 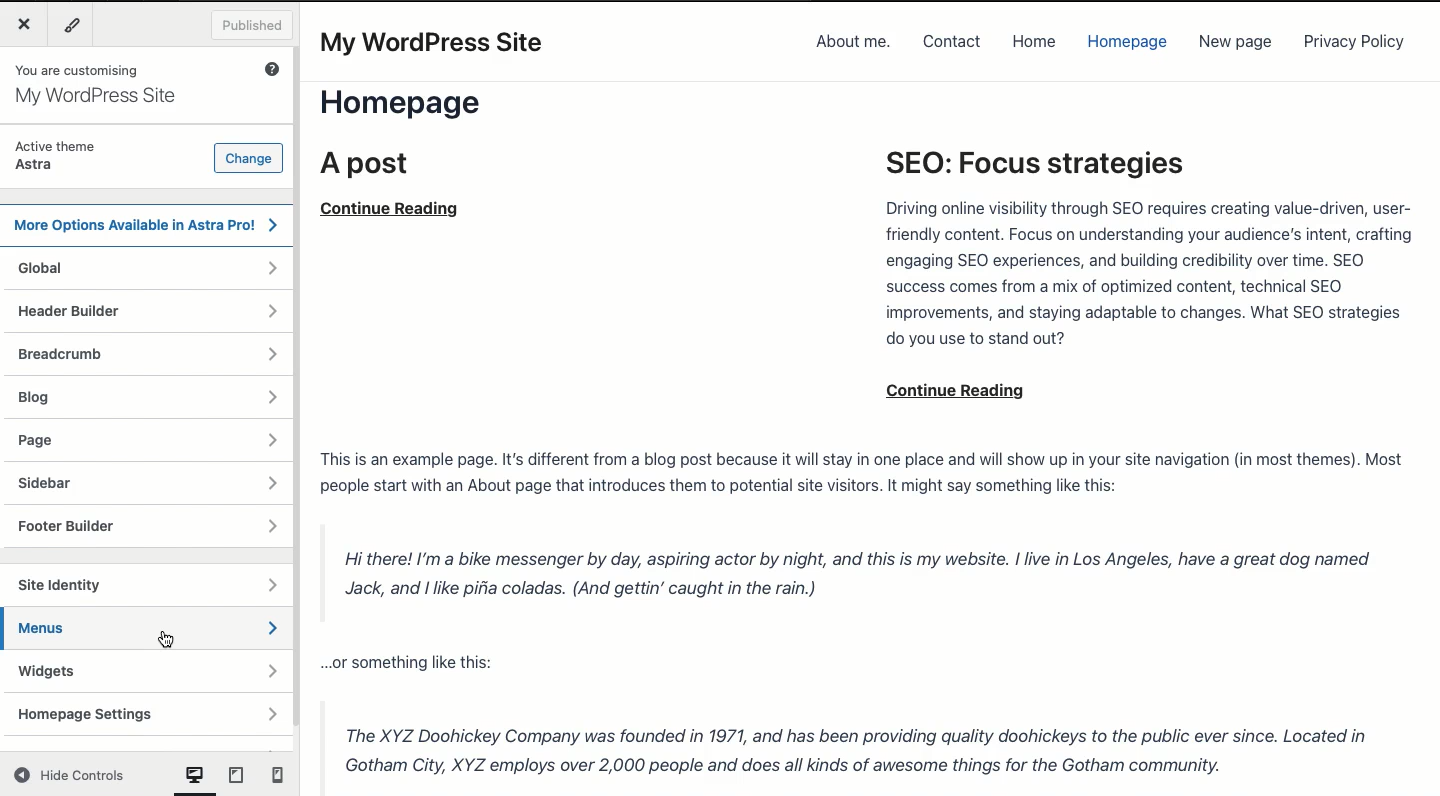 I want to click on Homepage settings, so click(x=149, y=715).